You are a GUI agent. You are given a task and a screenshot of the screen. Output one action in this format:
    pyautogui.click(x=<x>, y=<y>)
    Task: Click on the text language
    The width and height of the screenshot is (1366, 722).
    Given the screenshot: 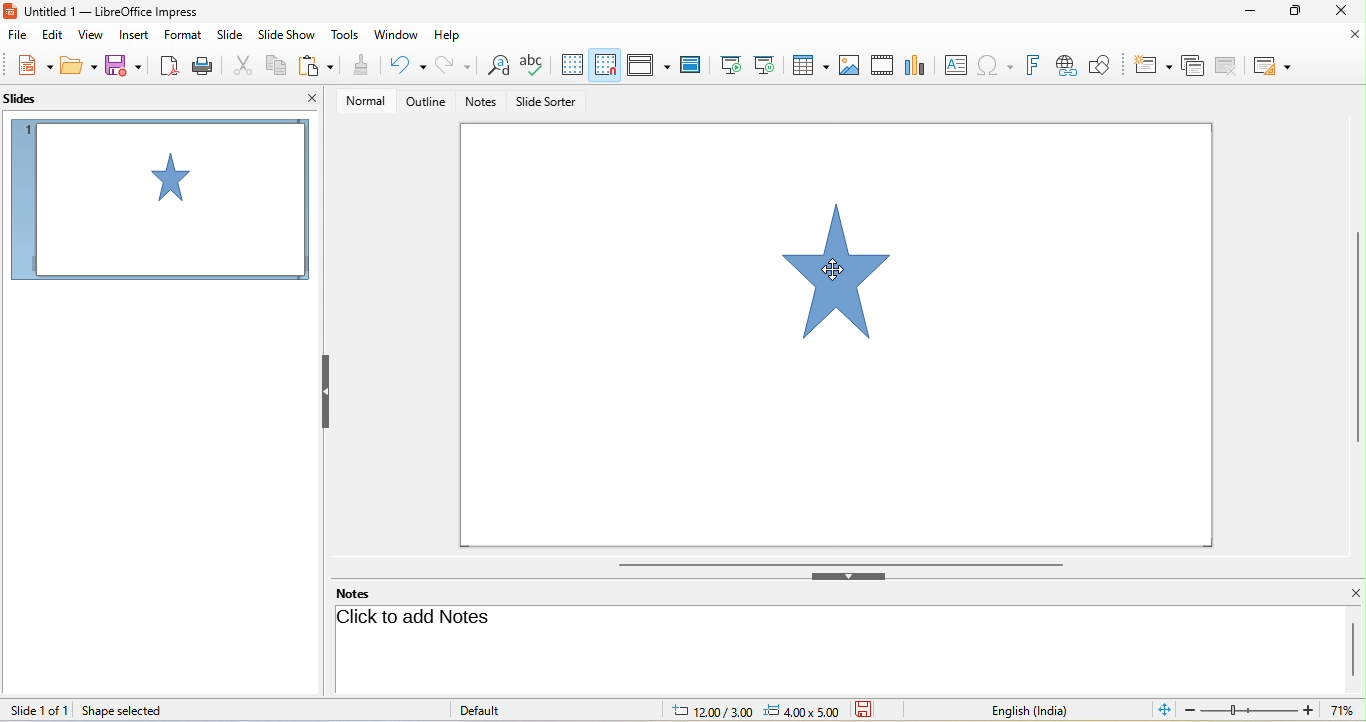 What is the action you would take?
    pyautogui.click(x=1016, y=710)
    